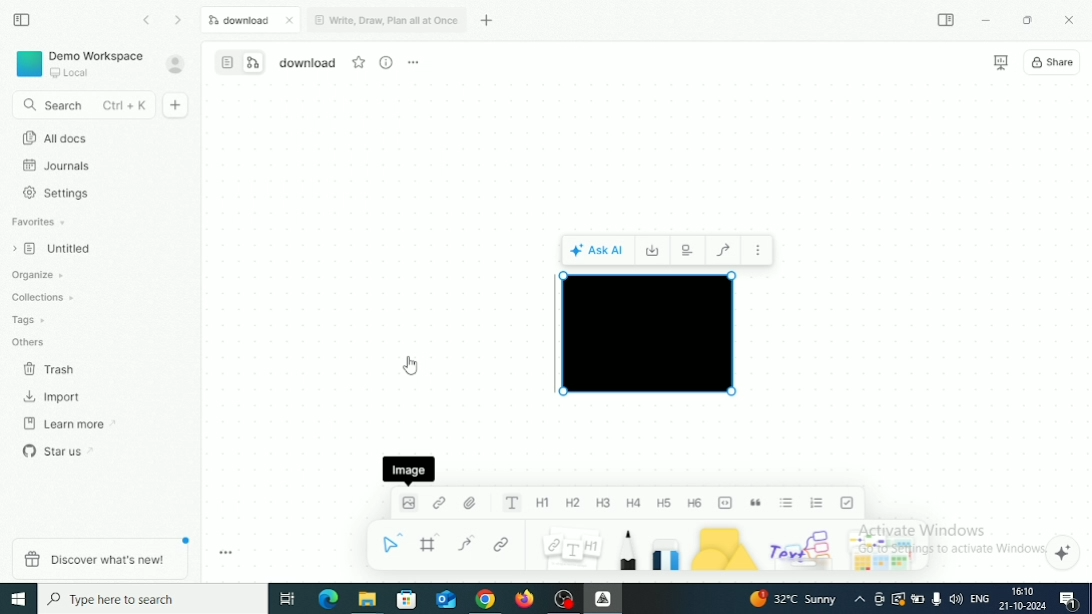 The image size is (1092, 614). Describe the element at coordinates (407, 508) in the screenshot. I see `Image` at that location.